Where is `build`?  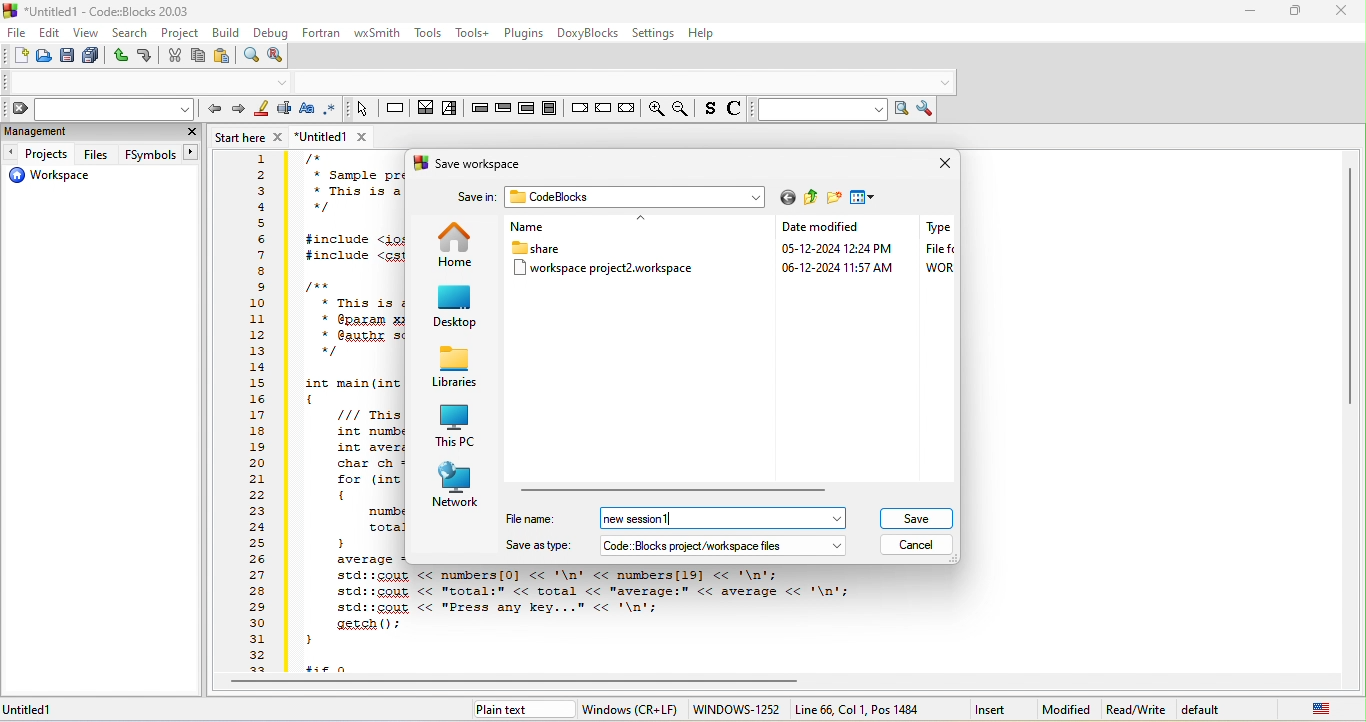 build is located at coordinates (228, 33).